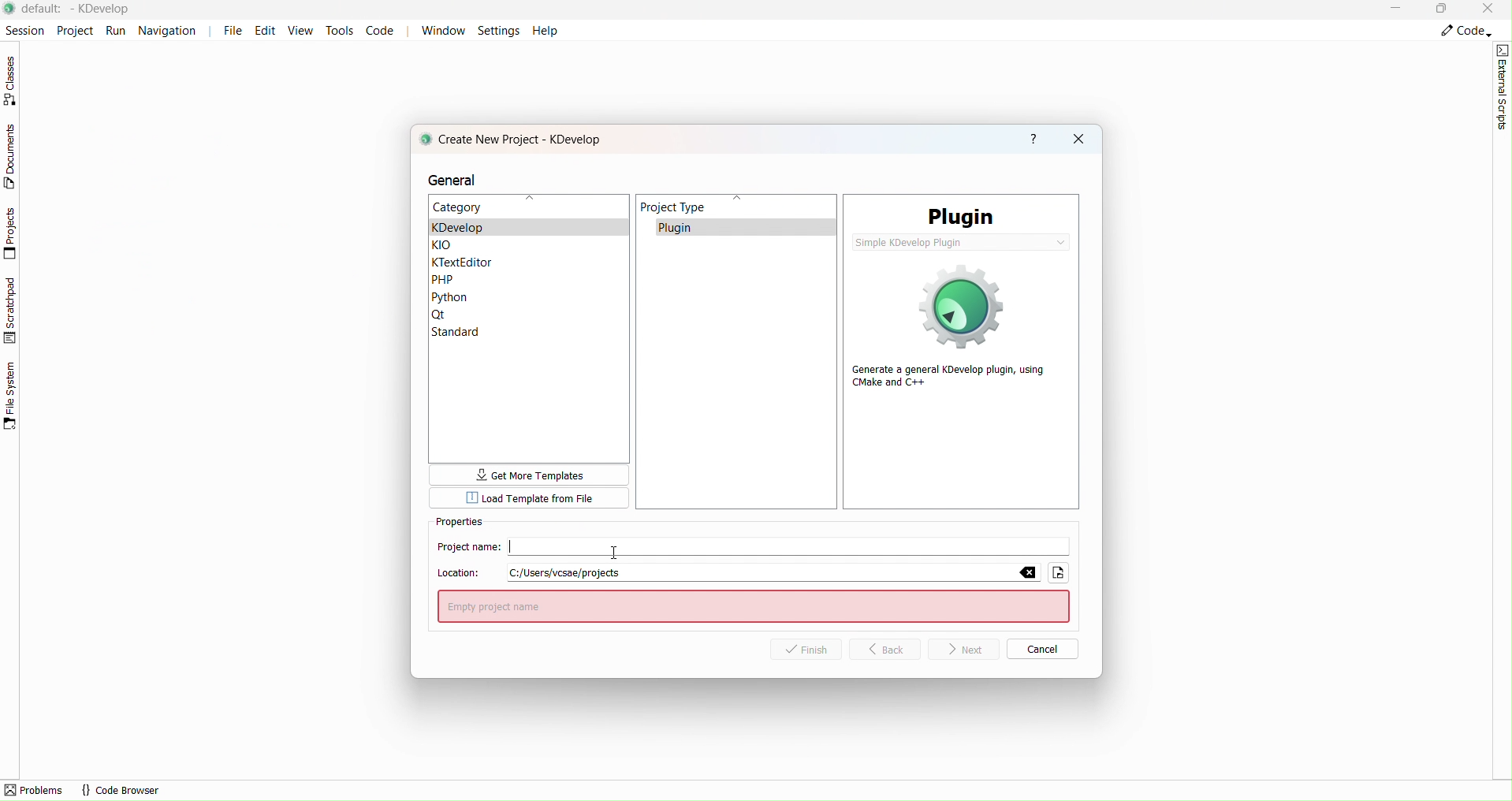  I want to click on Project Name, so click(754, 546).